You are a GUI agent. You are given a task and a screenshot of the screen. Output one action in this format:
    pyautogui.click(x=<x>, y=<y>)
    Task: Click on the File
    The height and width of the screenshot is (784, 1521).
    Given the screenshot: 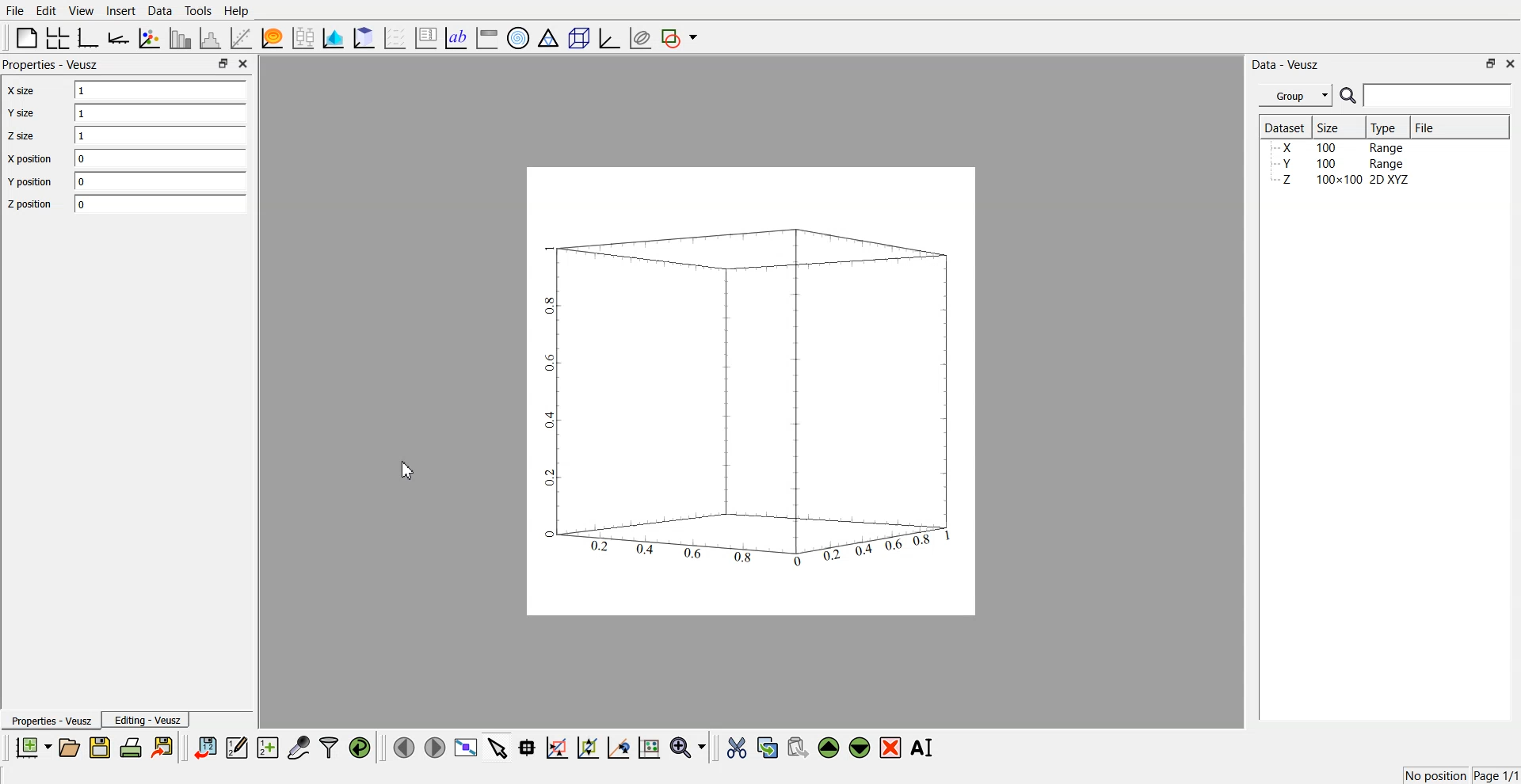 What is the action you would take?
    pyautogui.click(x=15, y=10)
    